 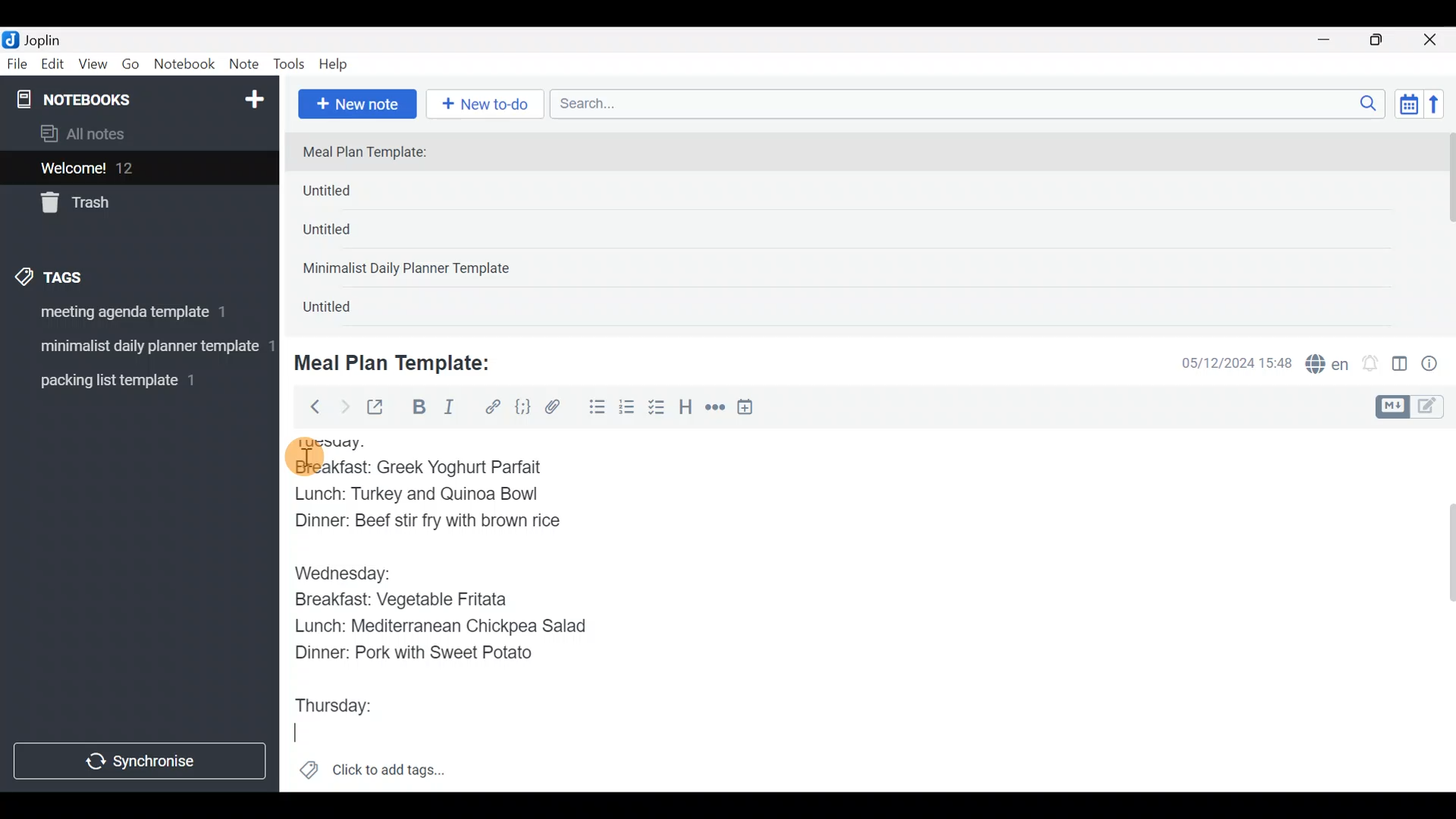 I want to click on Tag 2, so click(x=139, y=348).